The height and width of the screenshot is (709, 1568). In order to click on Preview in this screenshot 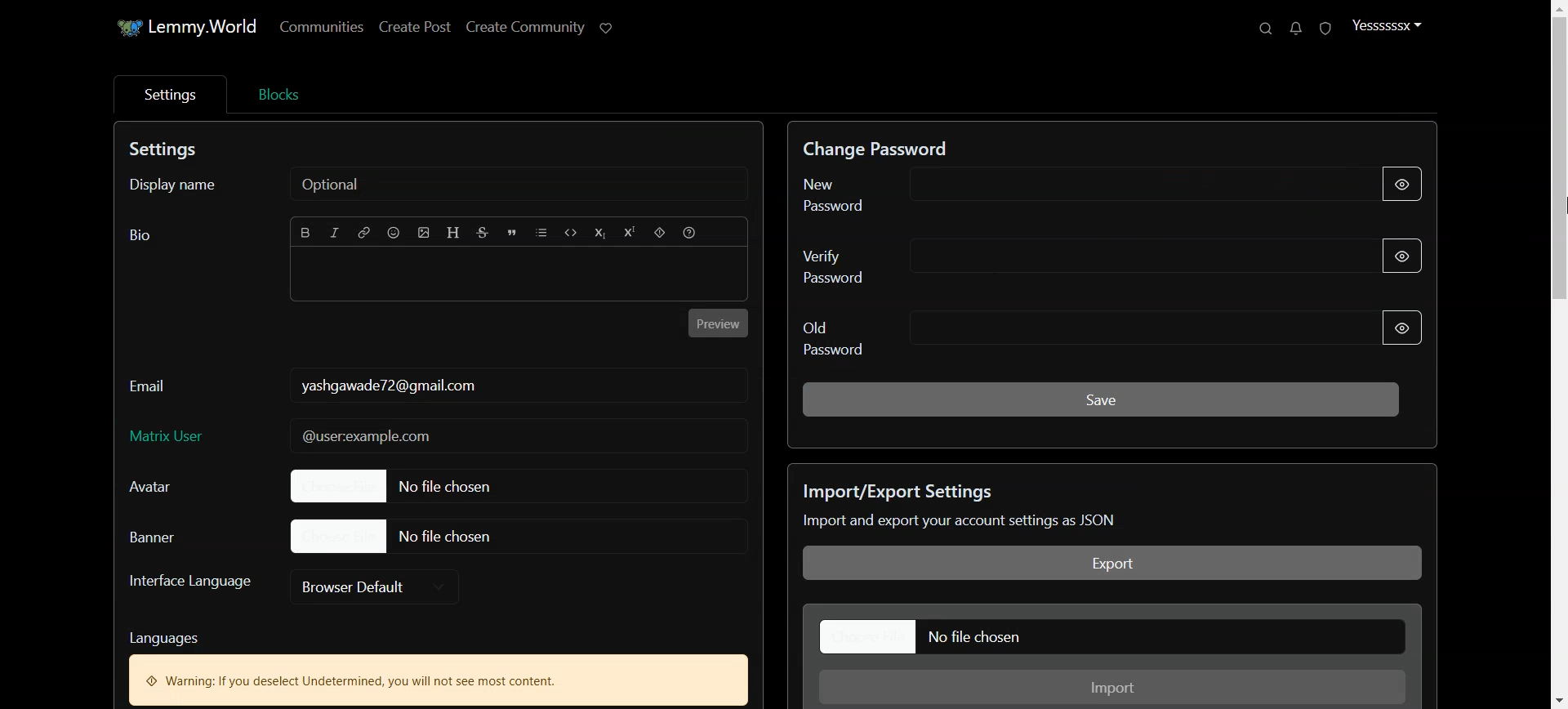, I will do `click(717, 323)`.